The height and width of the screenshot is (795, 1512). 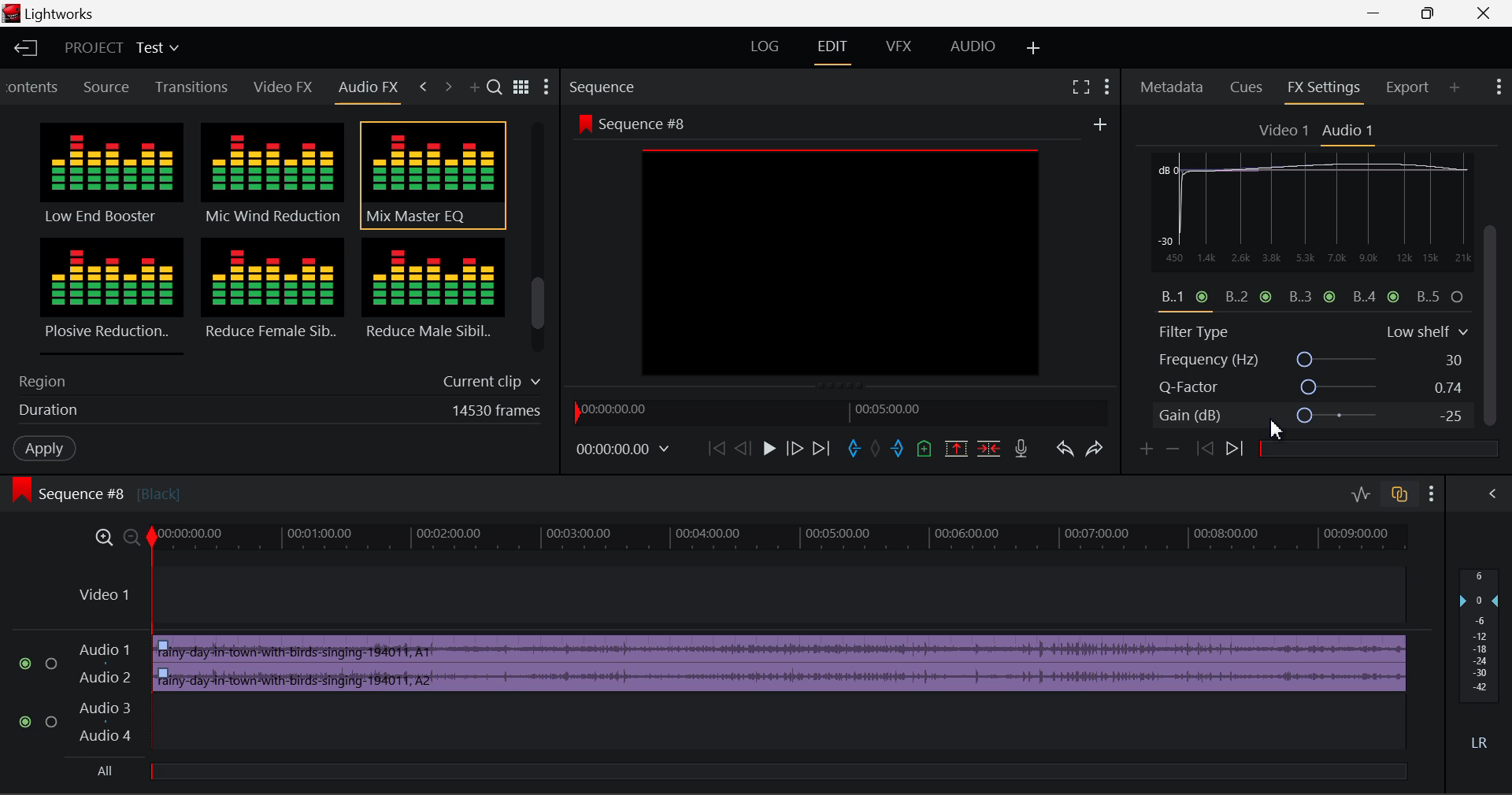 I want to click on Next Tab, so click(x=447, y=85).